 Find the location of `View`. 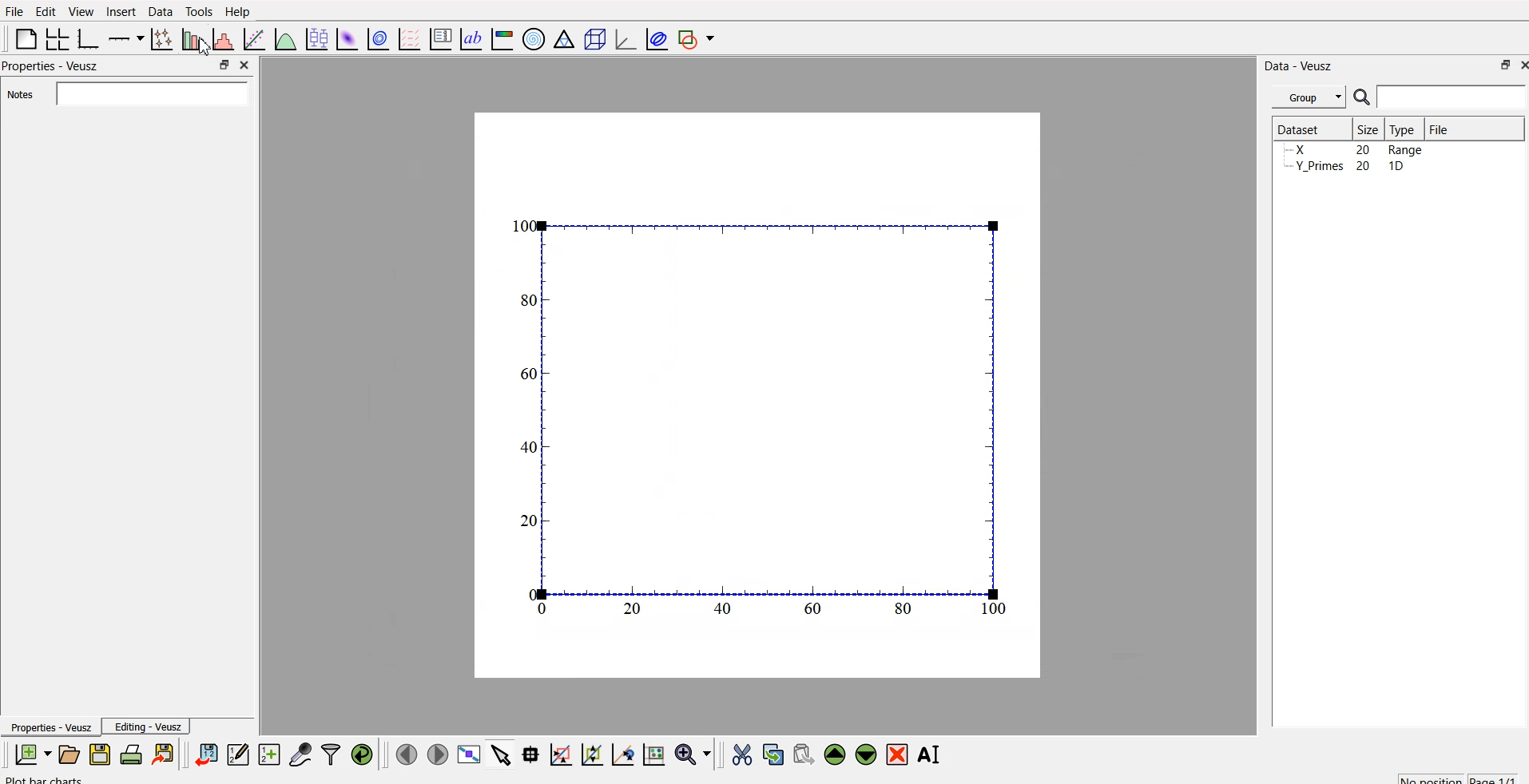

View is located at coordinates (82, 11).